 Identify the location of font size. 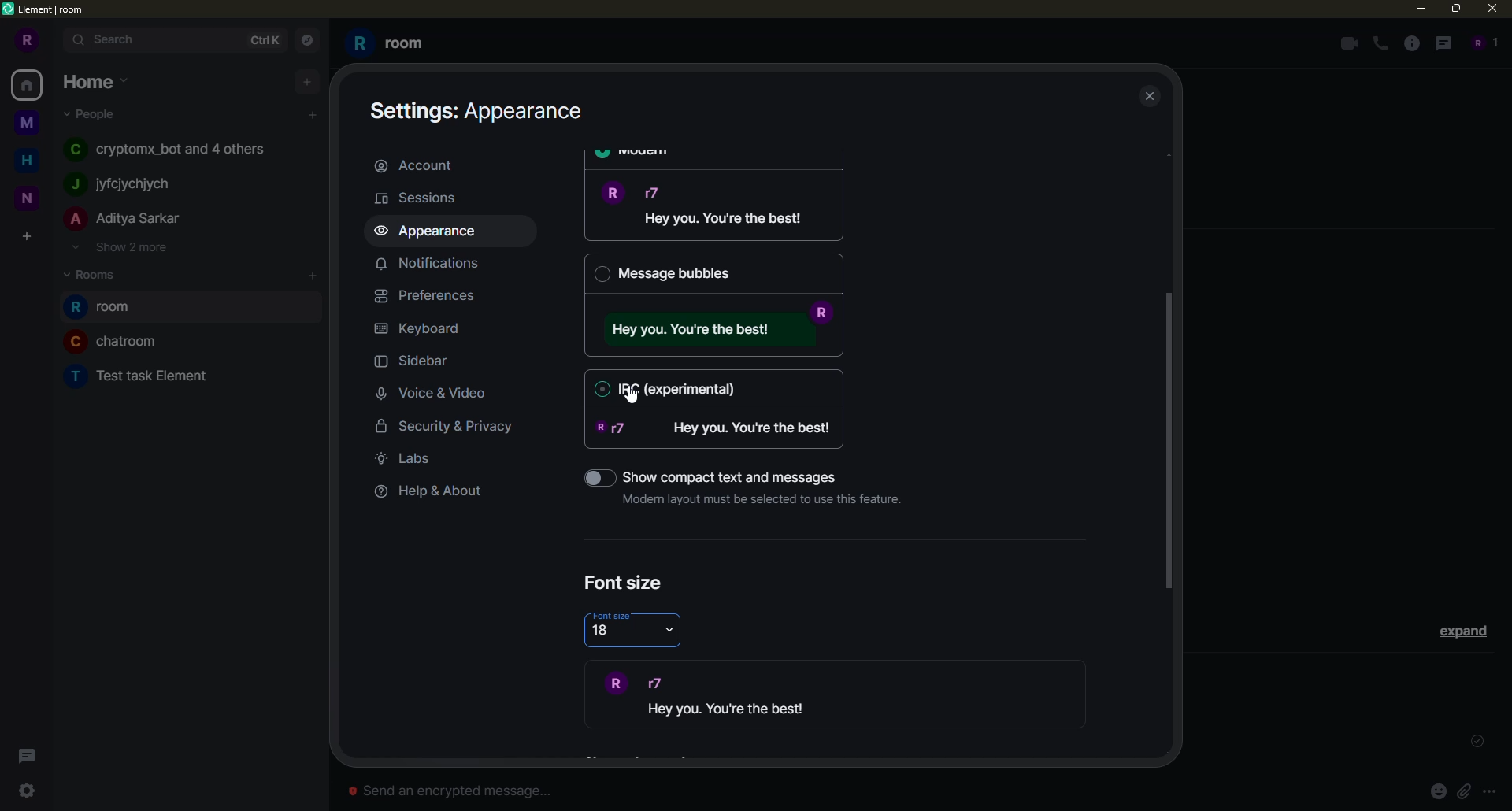
(621, 581).